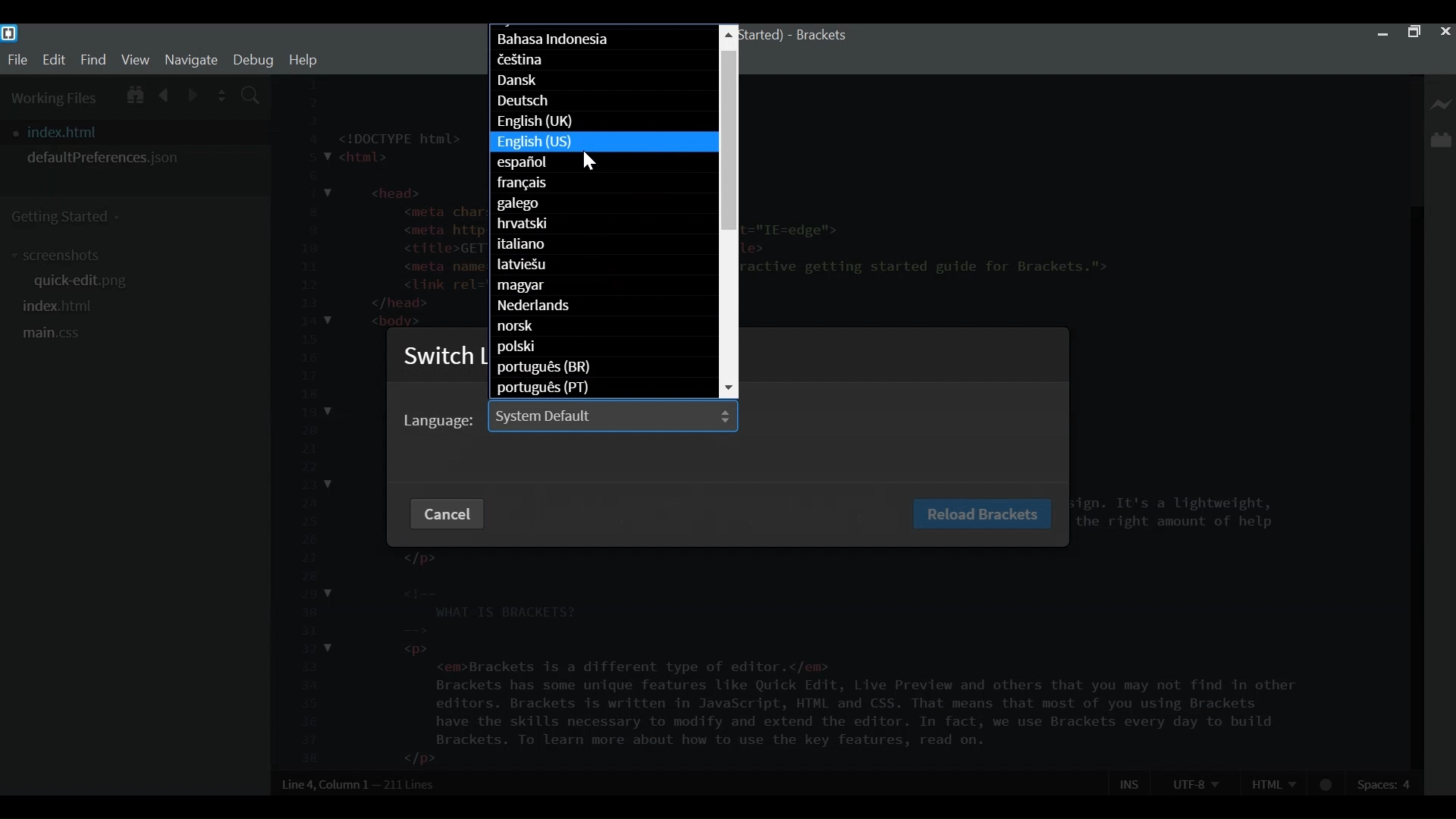 This screenshot has width=1456, height=819. I want to click on , so click(602, 264).